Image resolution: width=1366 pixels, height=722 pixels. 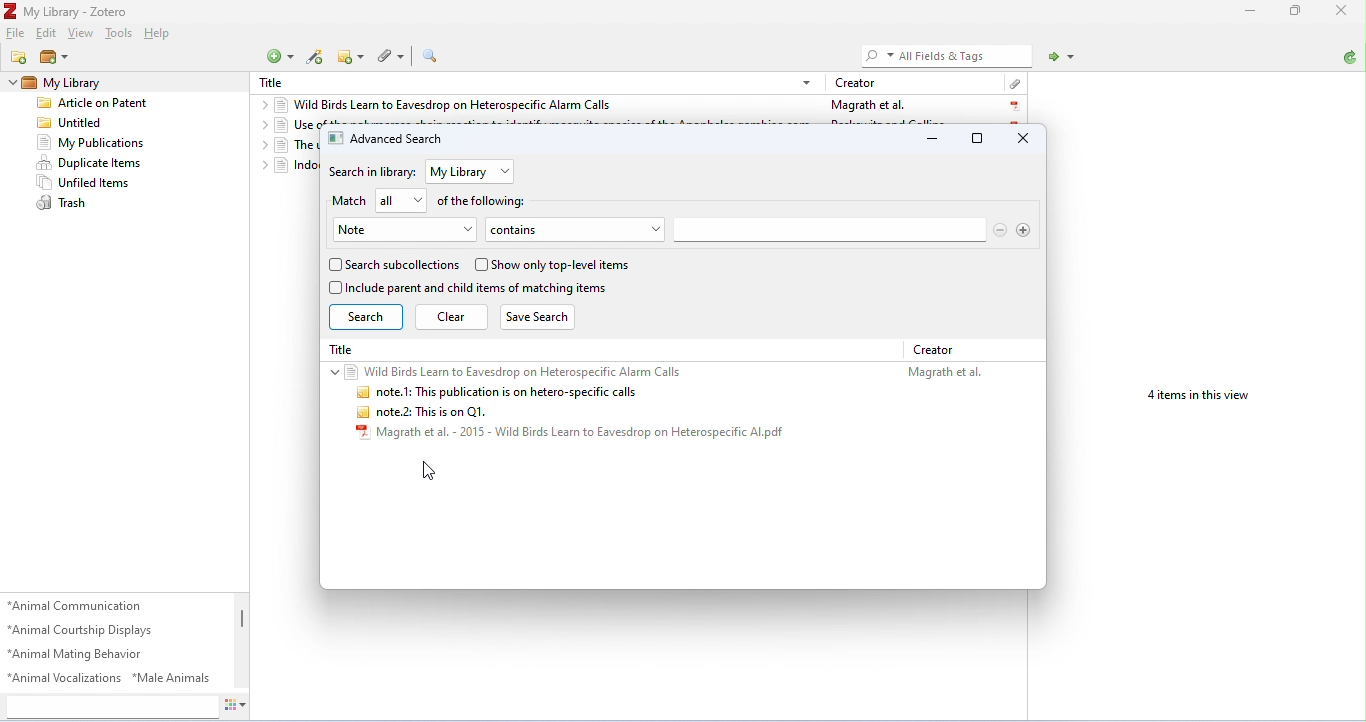 I want to click on my library, so click(x=68, y=84).